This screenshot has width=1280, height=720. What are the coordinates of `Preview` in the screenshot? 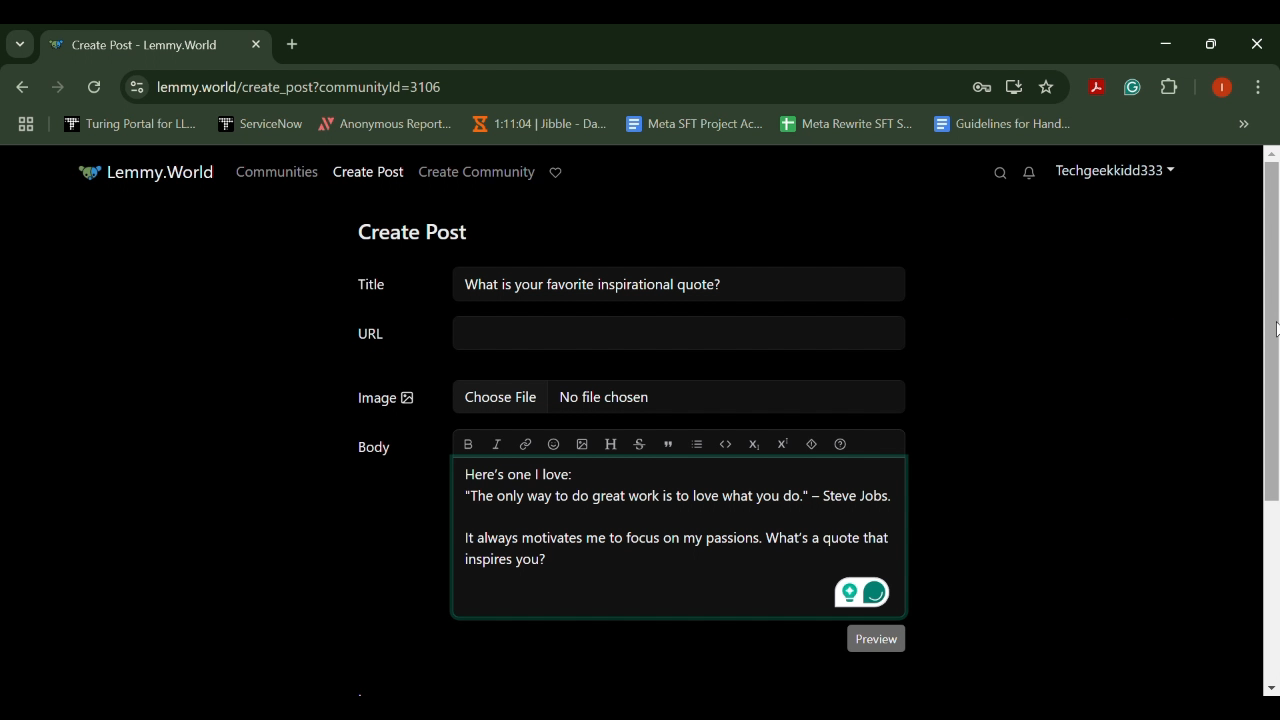 It's located at (878, 640).